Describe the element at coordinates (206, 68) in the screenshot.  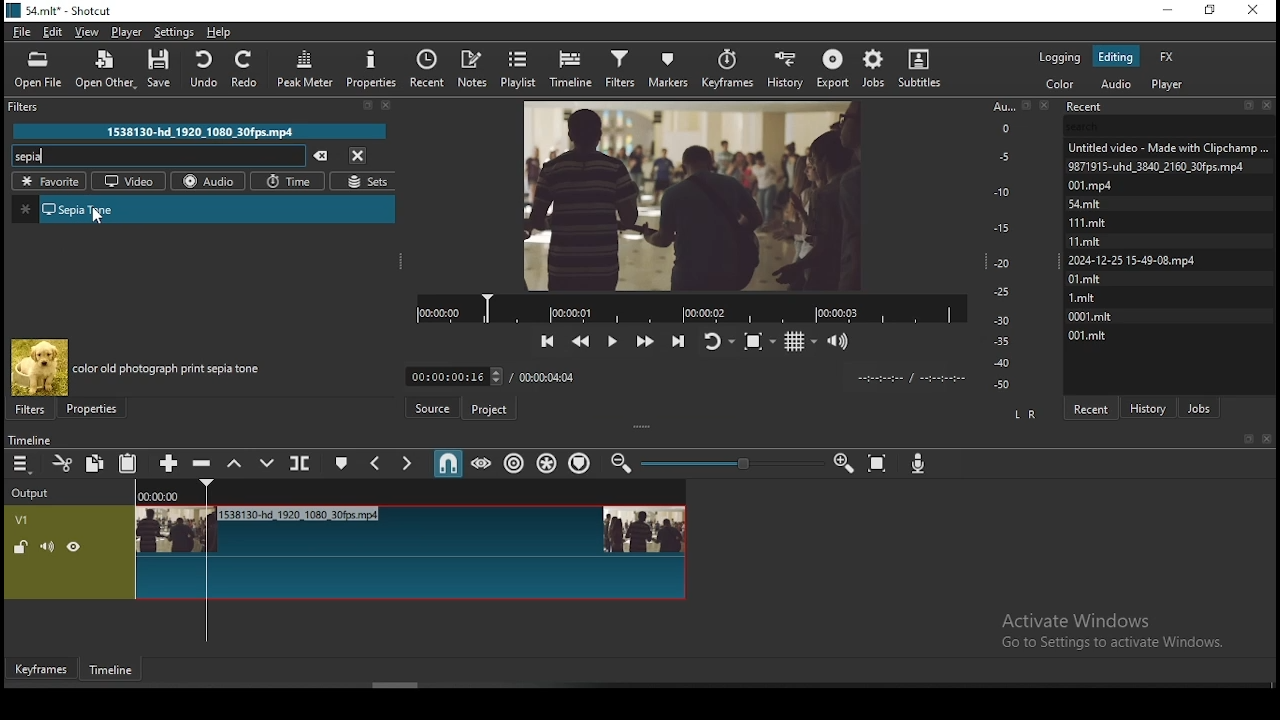
I see `undo` at that location.